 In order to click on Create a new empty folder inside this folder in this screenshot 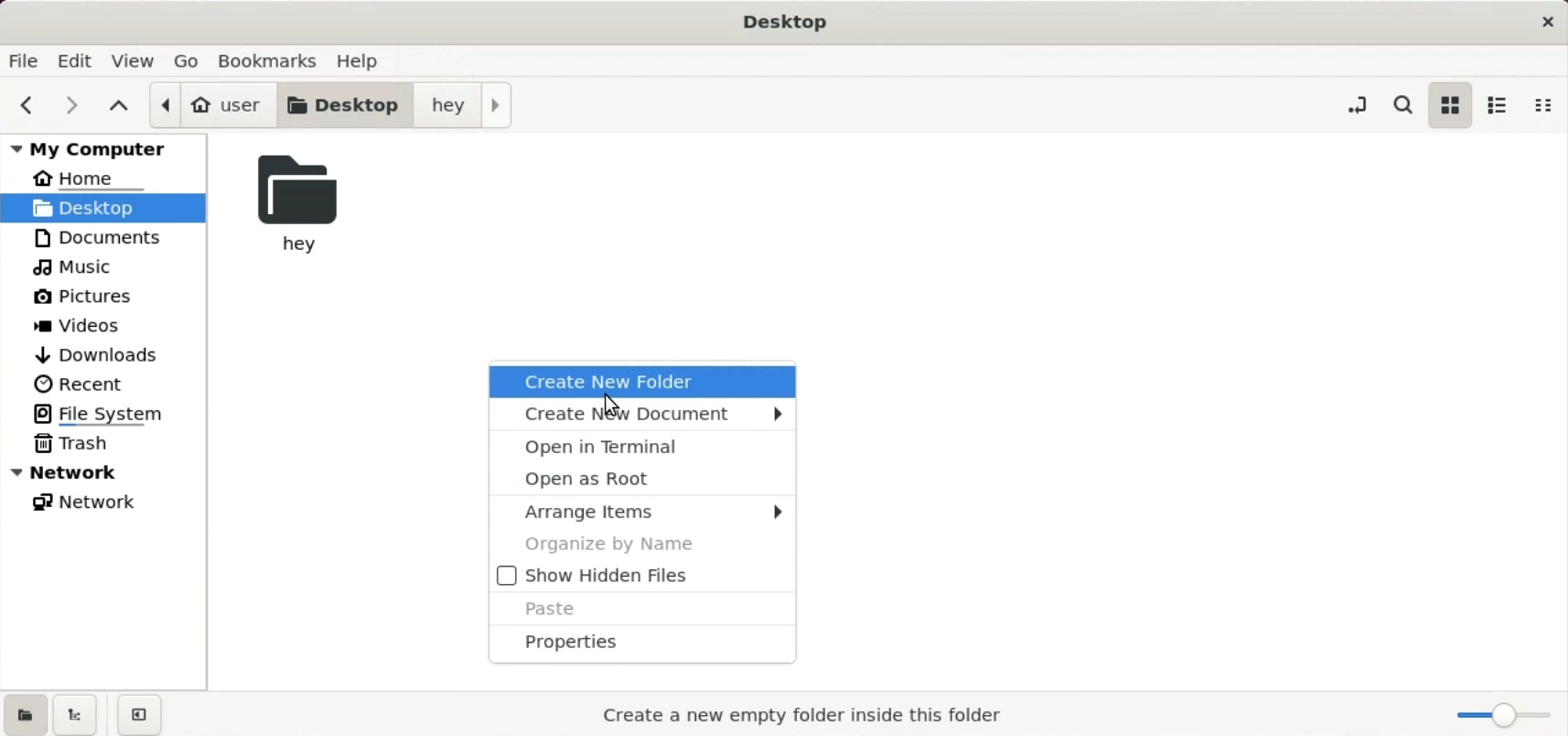, I will do `click(806, 717)`.